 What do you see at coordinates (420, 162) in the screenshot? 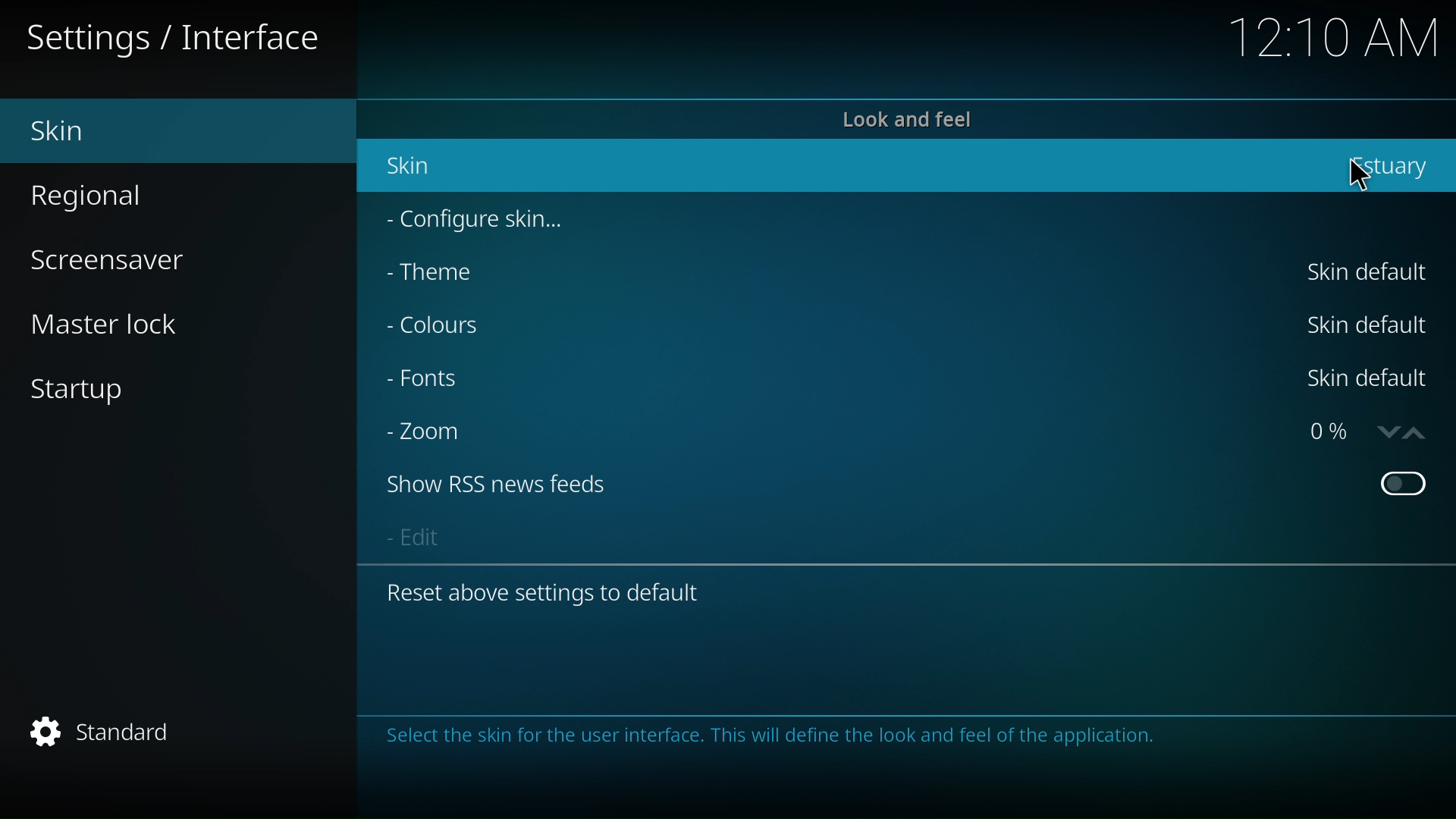
I see `skin` at bounding box center [420, 162].